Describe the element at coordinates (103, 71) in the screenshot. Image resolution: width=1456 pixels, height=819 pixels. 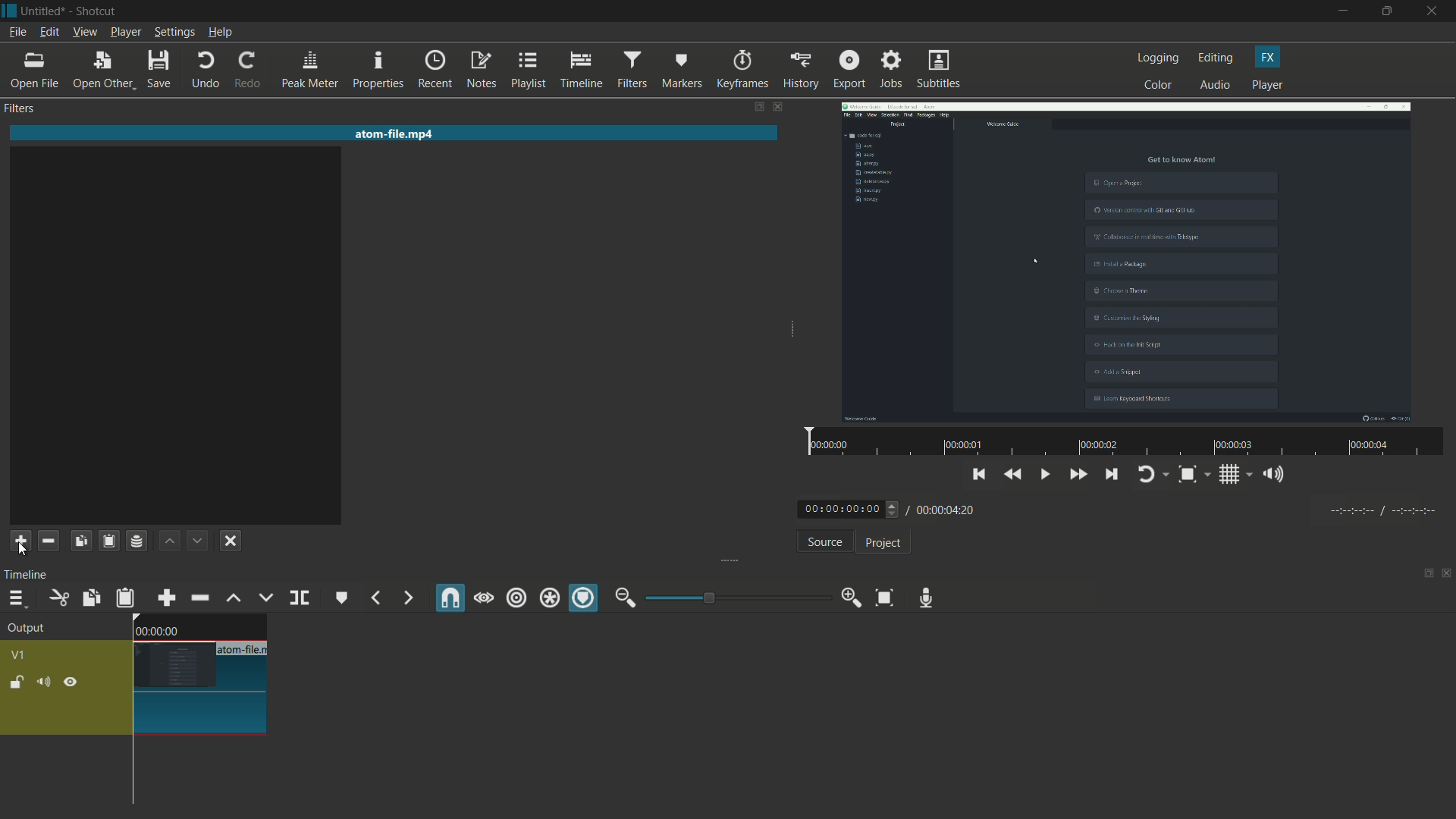
I see `open other` at that location.